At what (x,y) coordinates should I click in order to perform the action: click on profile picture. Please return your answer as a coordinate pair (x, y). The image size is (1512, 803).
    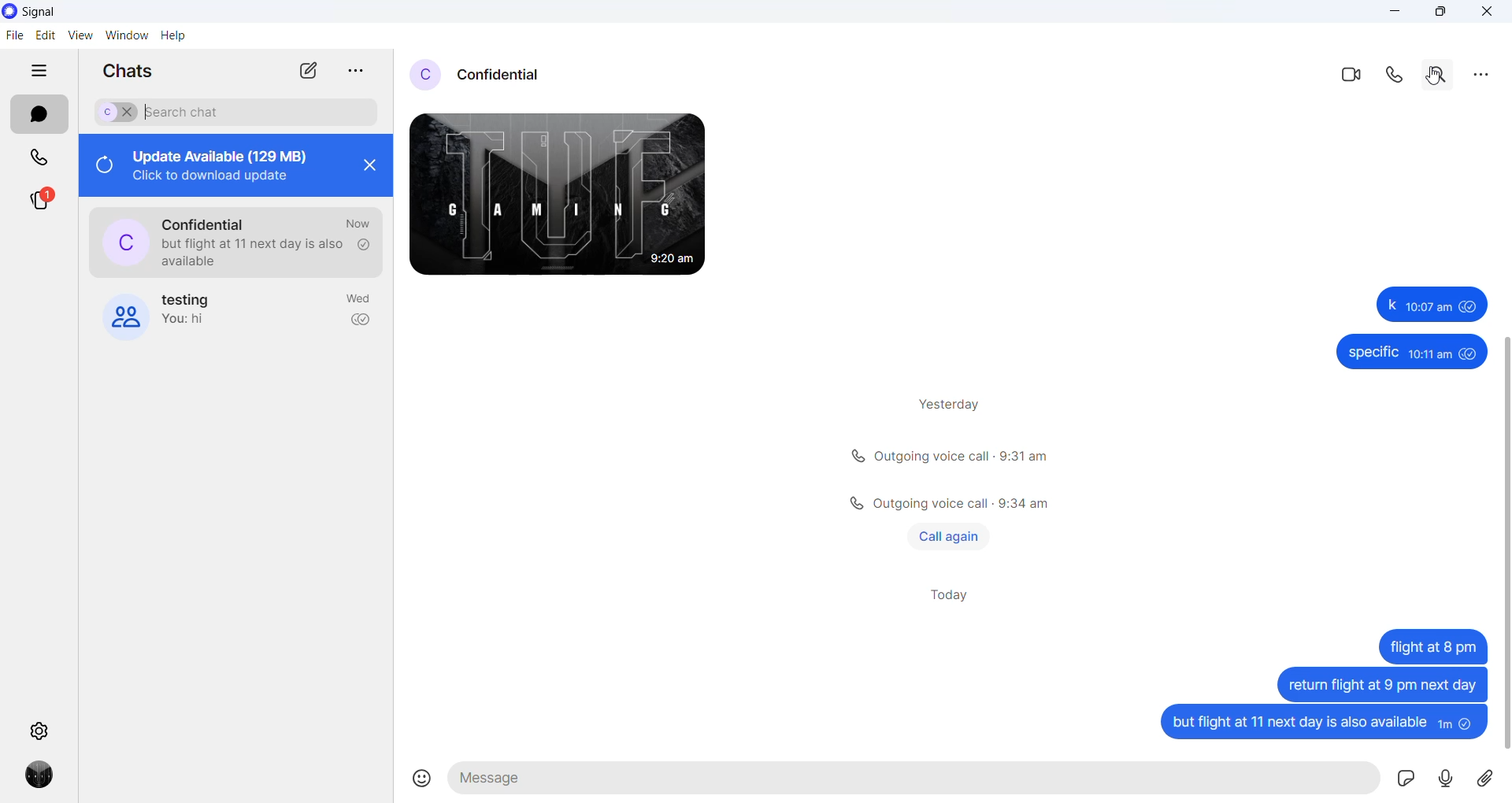
    Looking at the image, I should click on (427, 73).